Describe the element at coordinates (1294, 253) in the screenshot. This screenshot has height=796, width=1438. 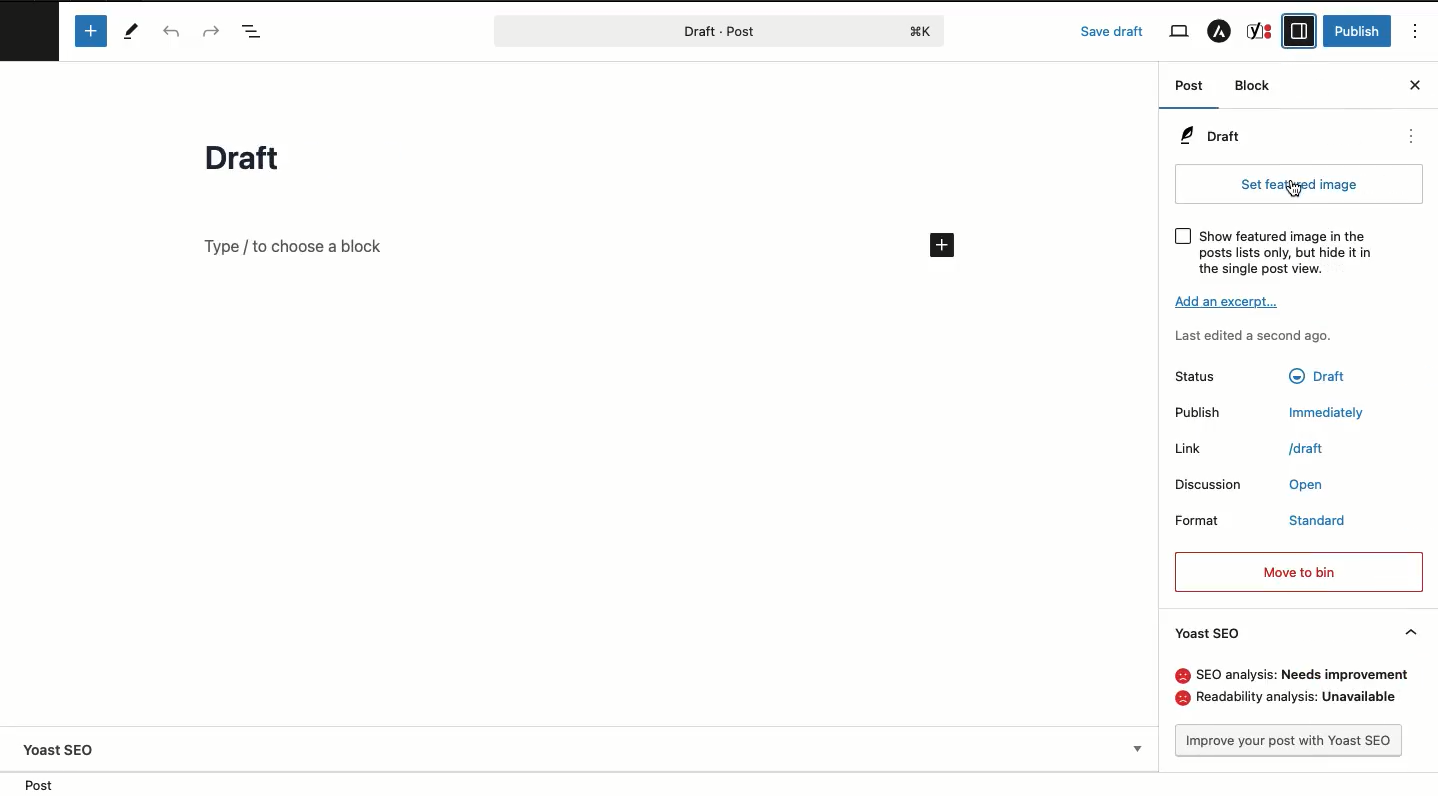
I see `Show featured image` at that location.